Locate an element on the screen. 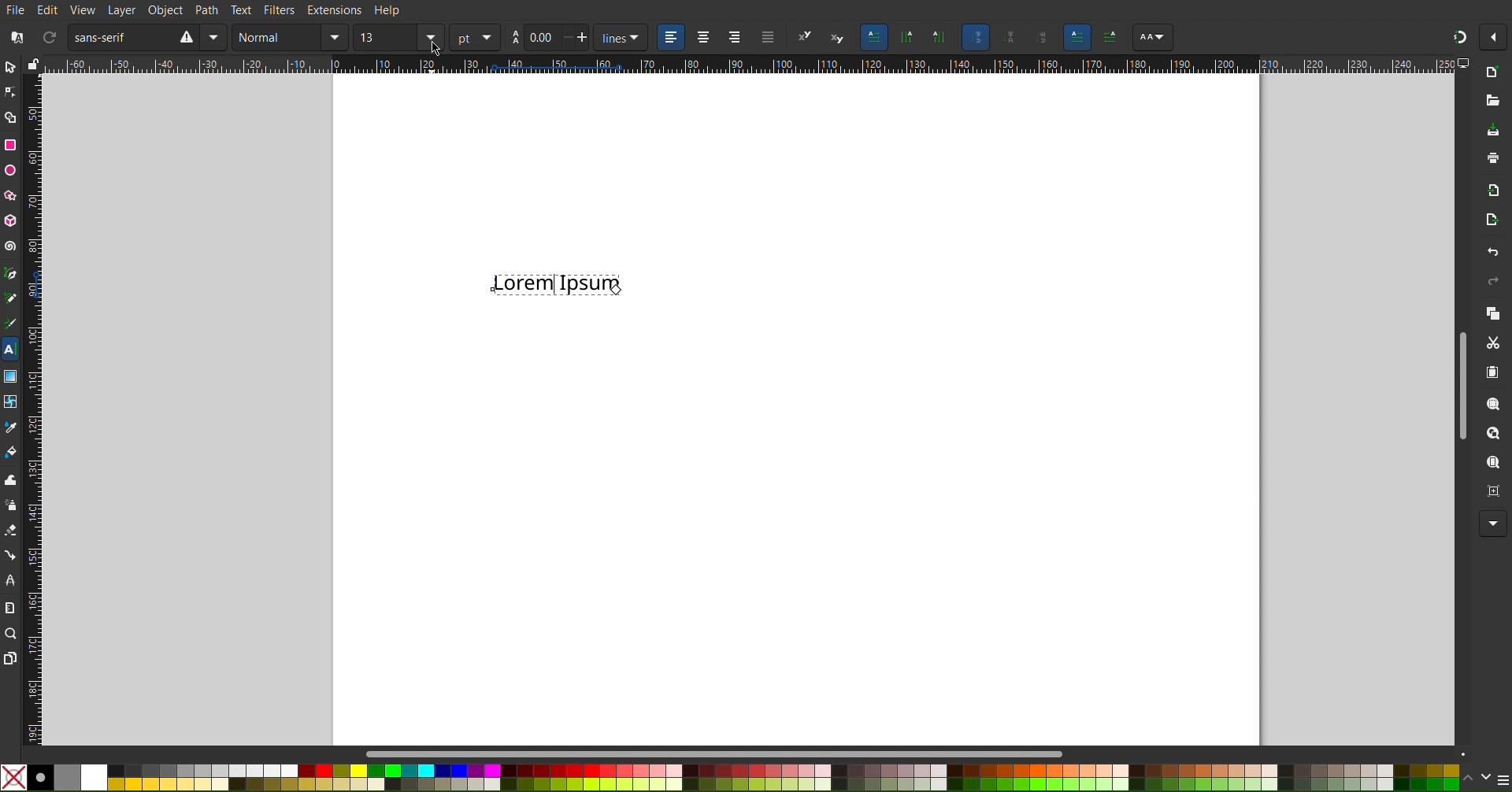  subscript is located at coordinates (837, 35).